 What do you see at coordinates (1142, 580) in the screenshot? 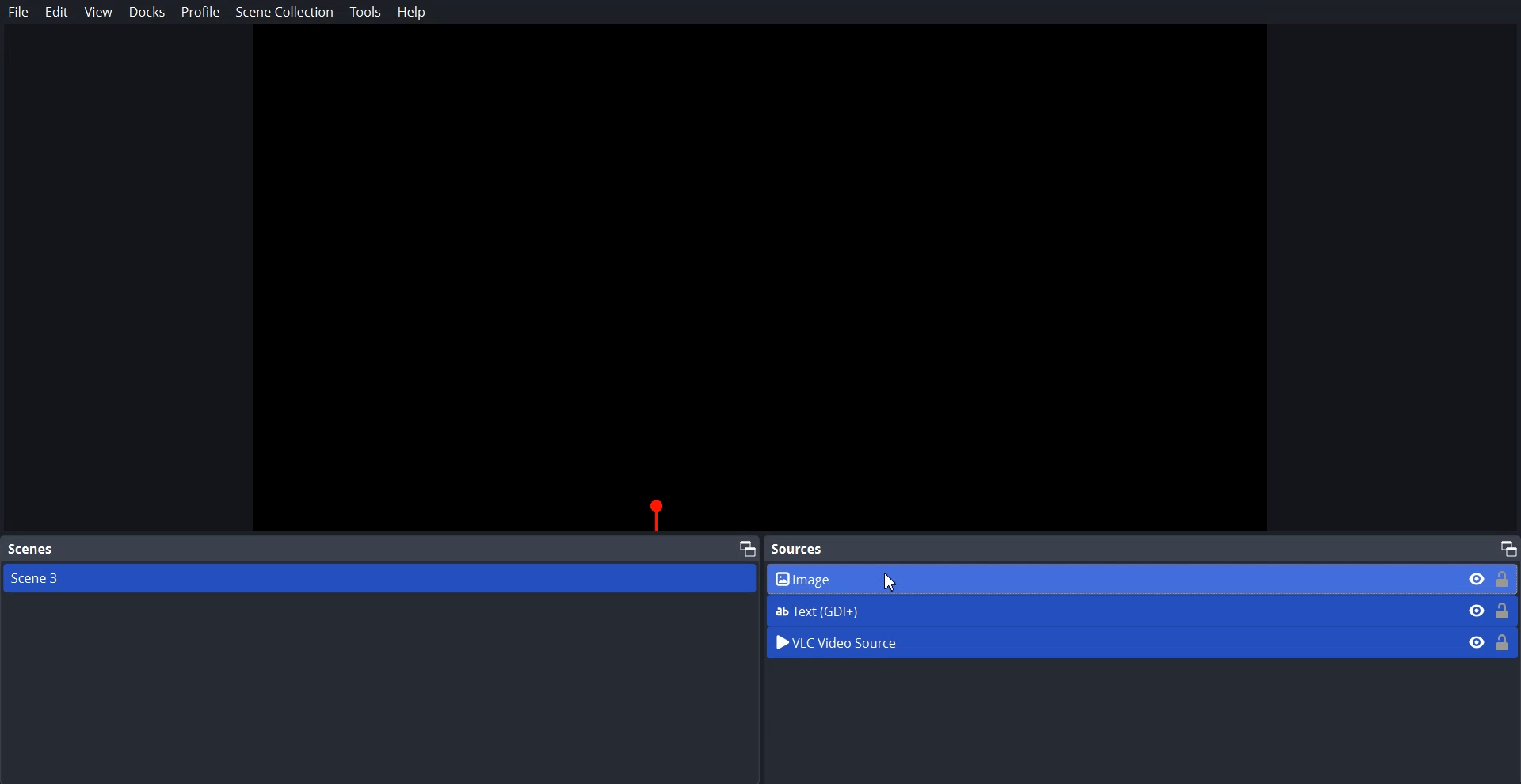
I see `Image` at bounding box center [1142, 580].